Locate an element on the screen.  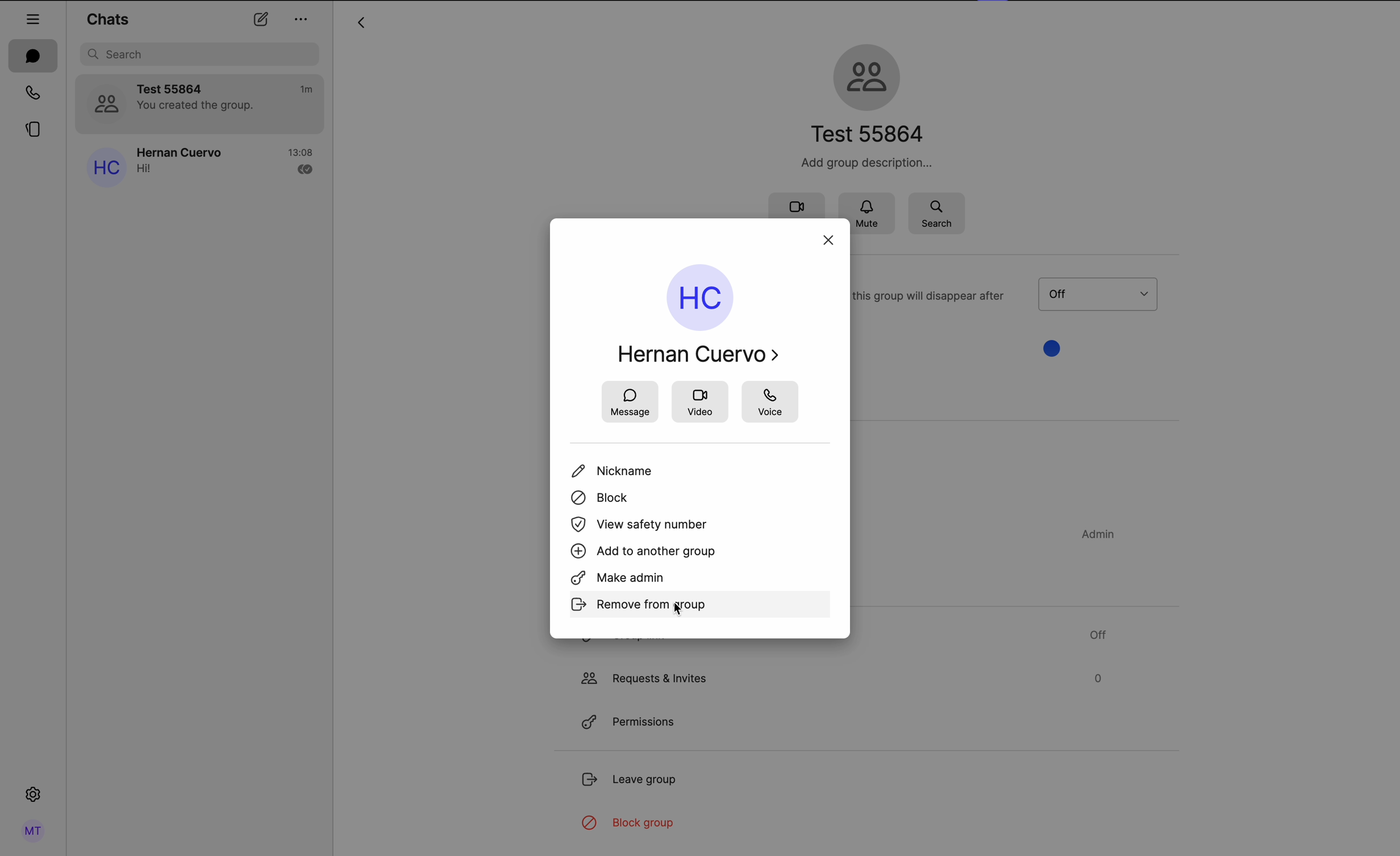
hide tabs is located at coordinates (34, 16).